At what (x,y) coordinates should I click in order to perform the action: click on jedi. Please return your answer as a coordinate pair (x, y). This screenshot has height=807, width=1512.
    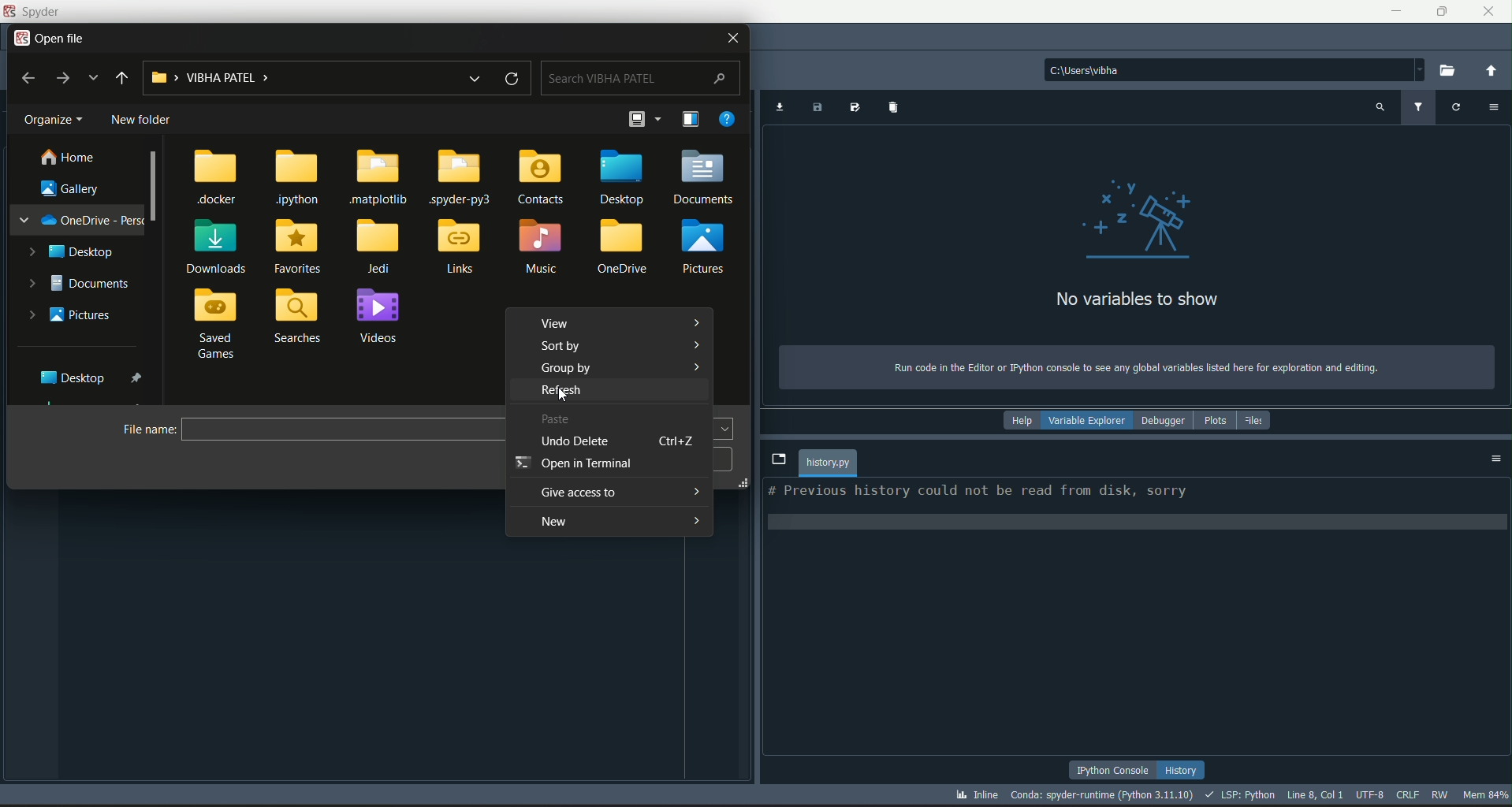
    Looking at the image, I should click on (379, 247).